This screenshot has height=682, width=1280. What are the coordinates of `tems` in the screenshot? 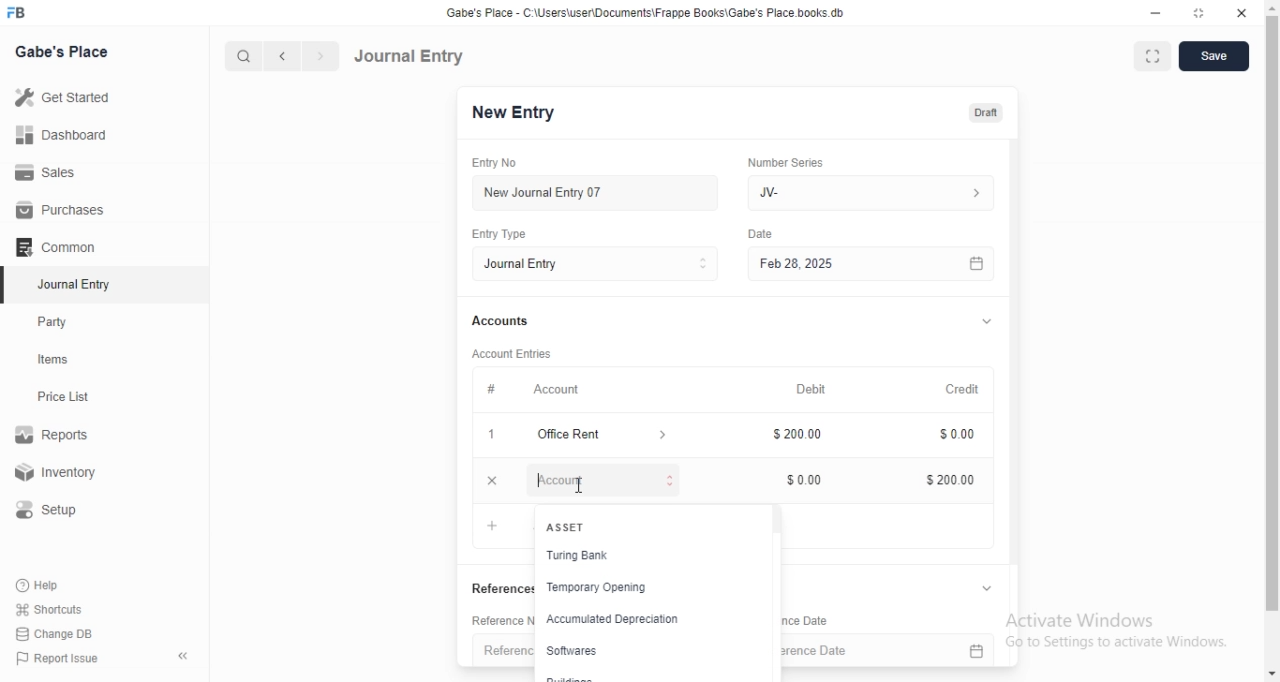 It's located at (61, 360).